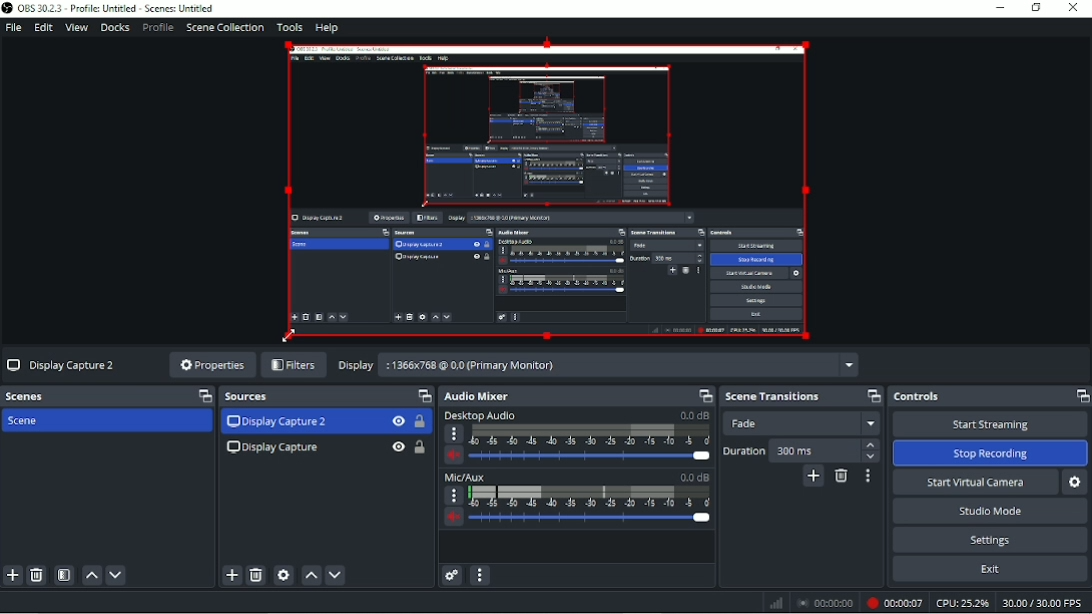 The image size is (1092, 614). What do you see at coordinates (813, 476) in the screenshot?
I see `Add cofigurable transition` at bounding box center [813, 476].